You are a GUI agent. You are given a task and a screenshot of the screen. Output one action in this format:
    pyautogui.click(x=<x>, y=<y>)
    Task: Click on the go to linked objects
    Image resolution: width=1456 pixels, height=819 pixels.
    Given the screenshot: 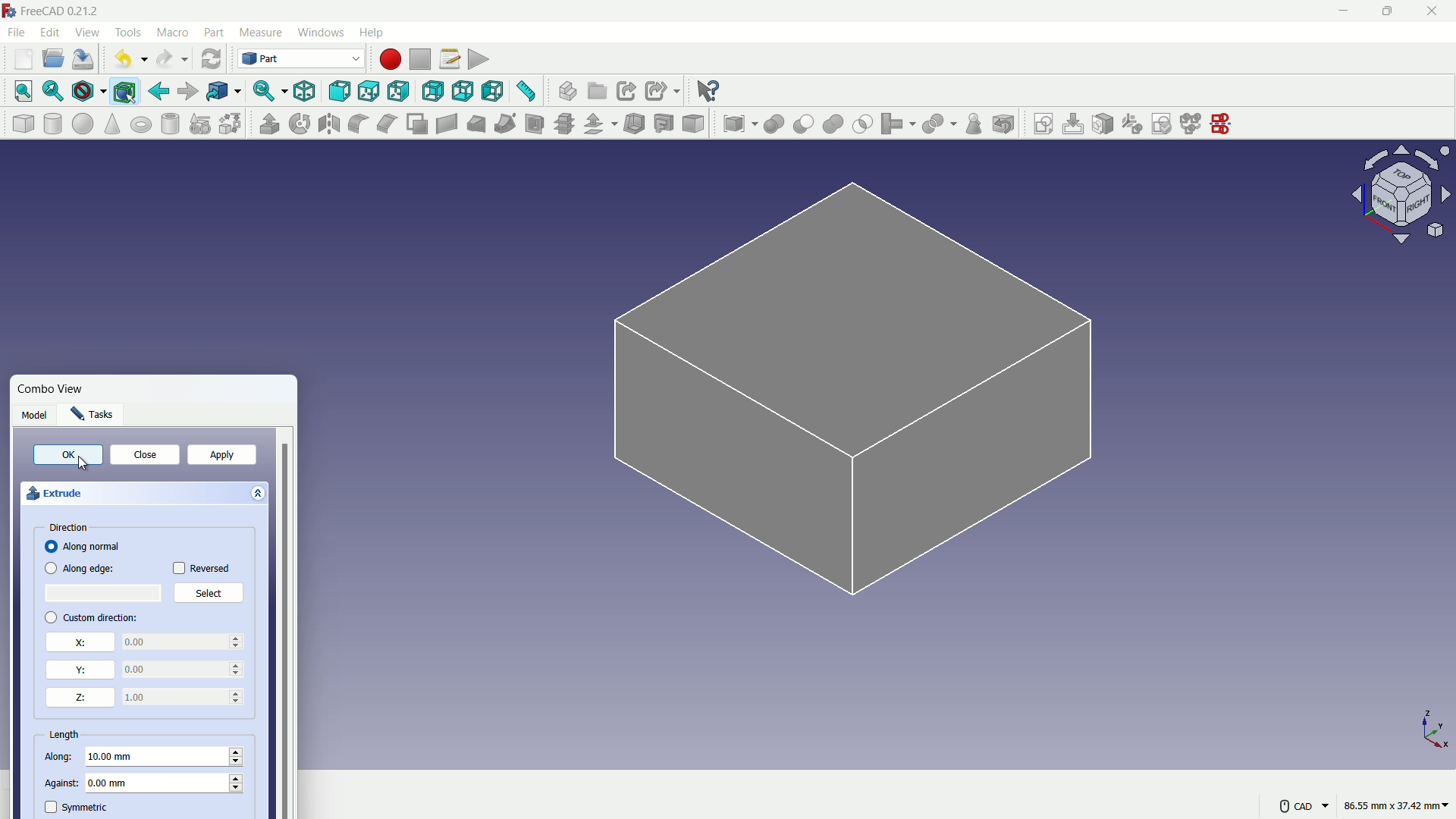 What is the action you would take?
    pyautogui.click(x=224, y=90)
    